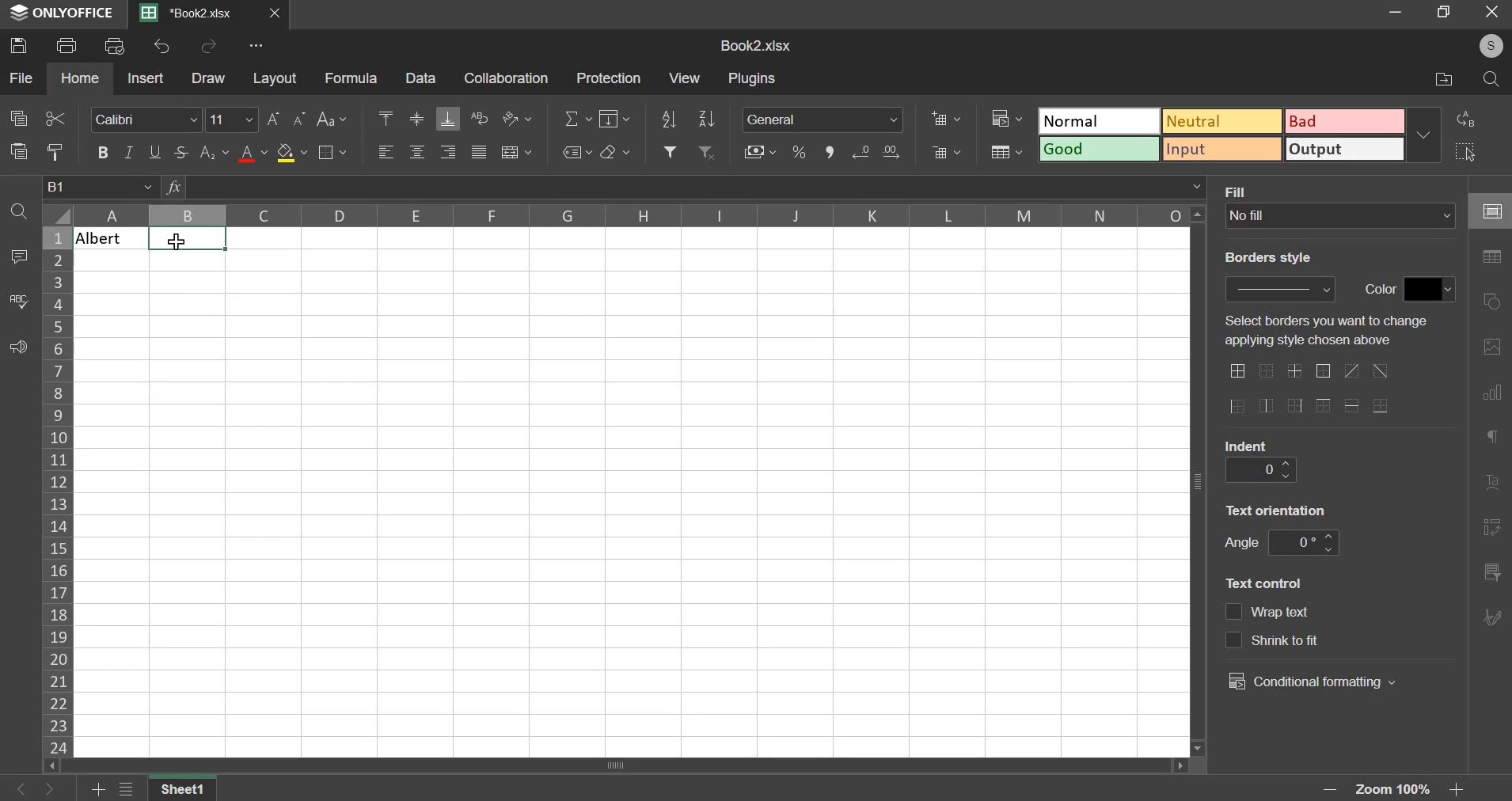 This screenshot has height=801, width=1512. What do you see at coordinates (609, 77) in the screenshot?
I see `protection` at bounding box center [609, 77].